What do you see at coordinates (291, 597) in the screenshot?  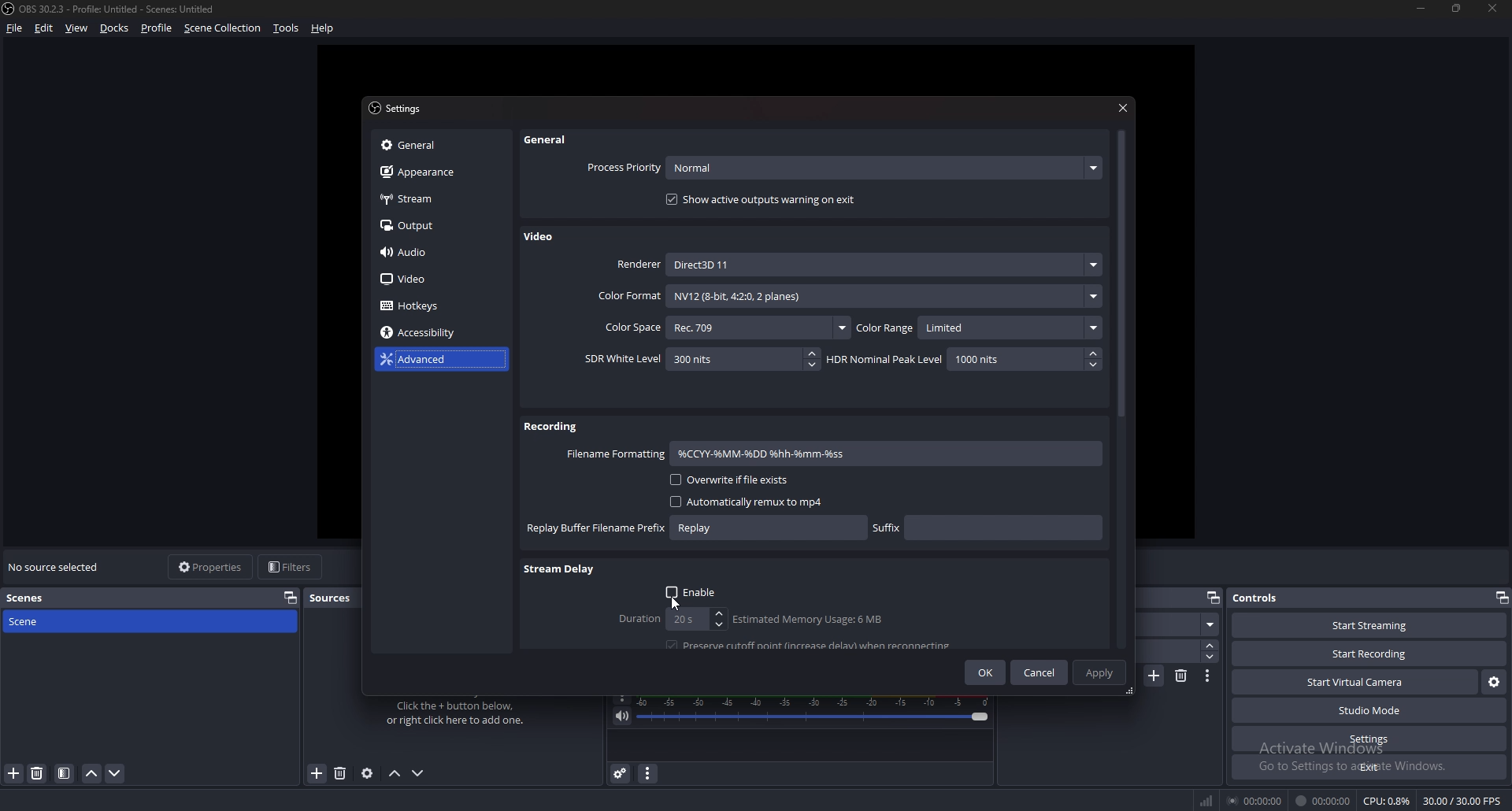 I see `pop out` at bounding box center [291, 597].